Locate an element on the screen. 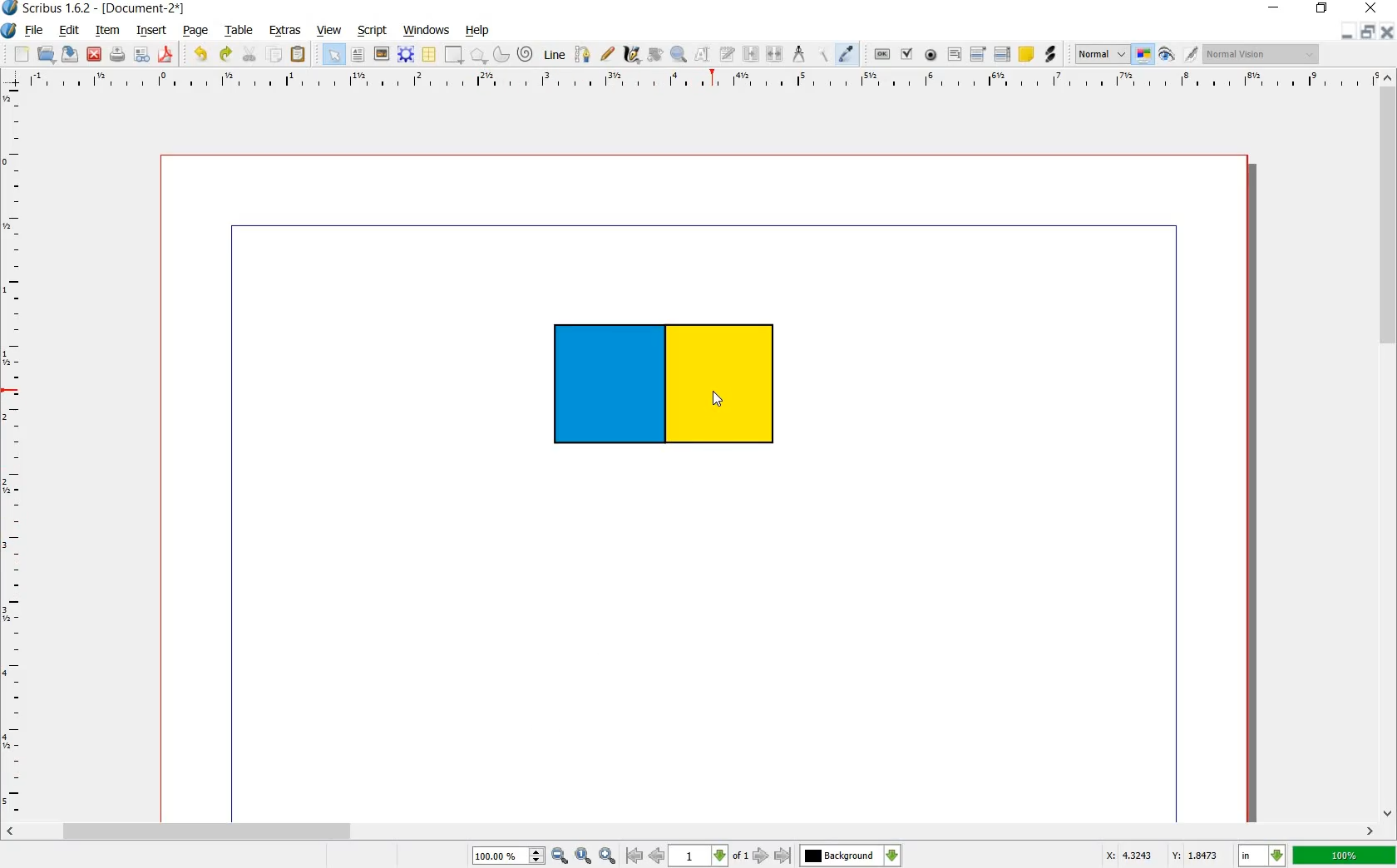 This screenshot has width=1397, height=868. zoom in is located at coordinates (606, 855).